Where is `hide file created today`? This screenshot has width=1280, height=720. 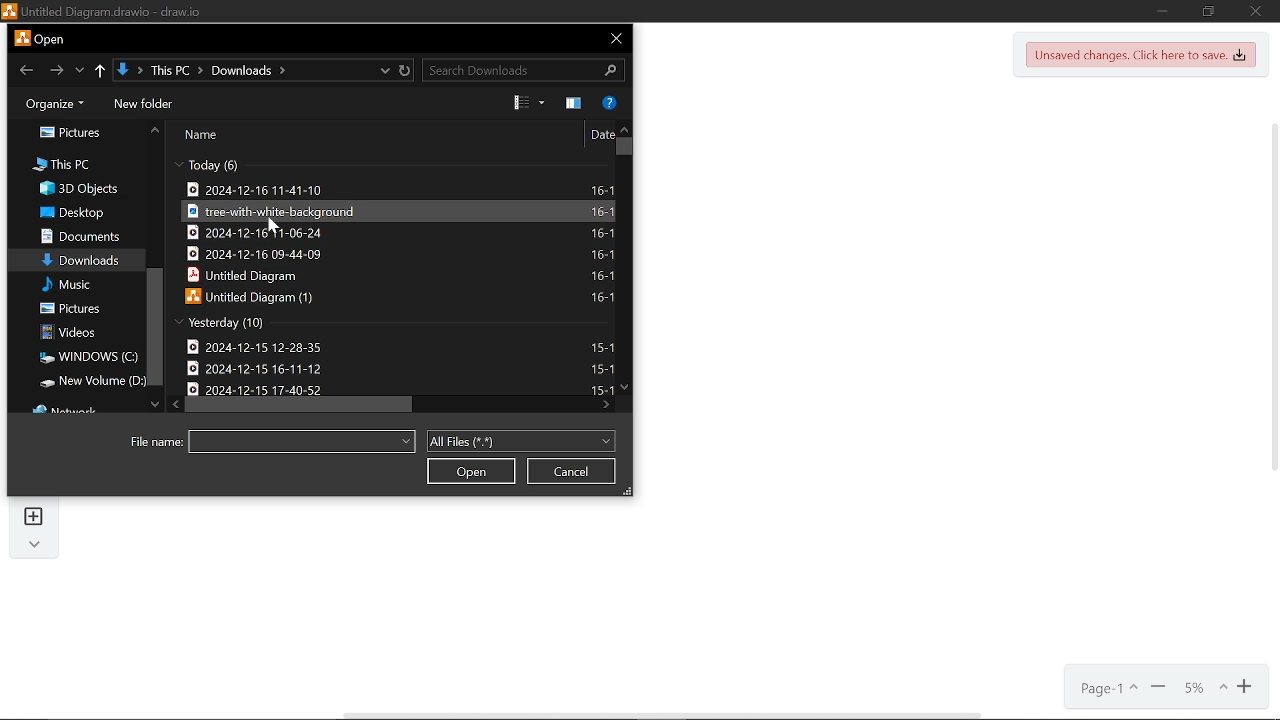 hide file created today is located at coordinates (176, 166).